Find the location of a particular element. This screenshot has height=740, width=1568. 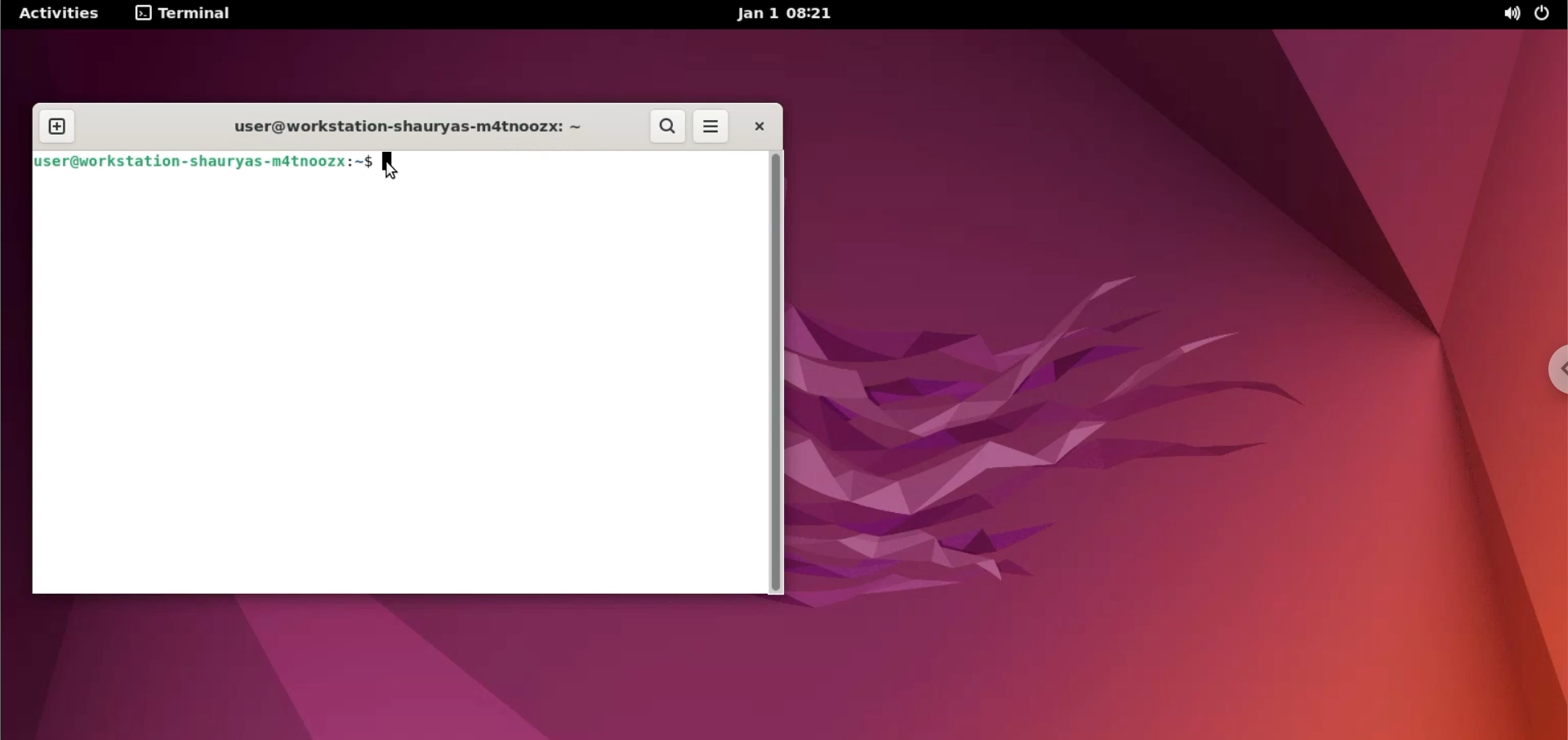

cursor is located at coordinates (394, 167).